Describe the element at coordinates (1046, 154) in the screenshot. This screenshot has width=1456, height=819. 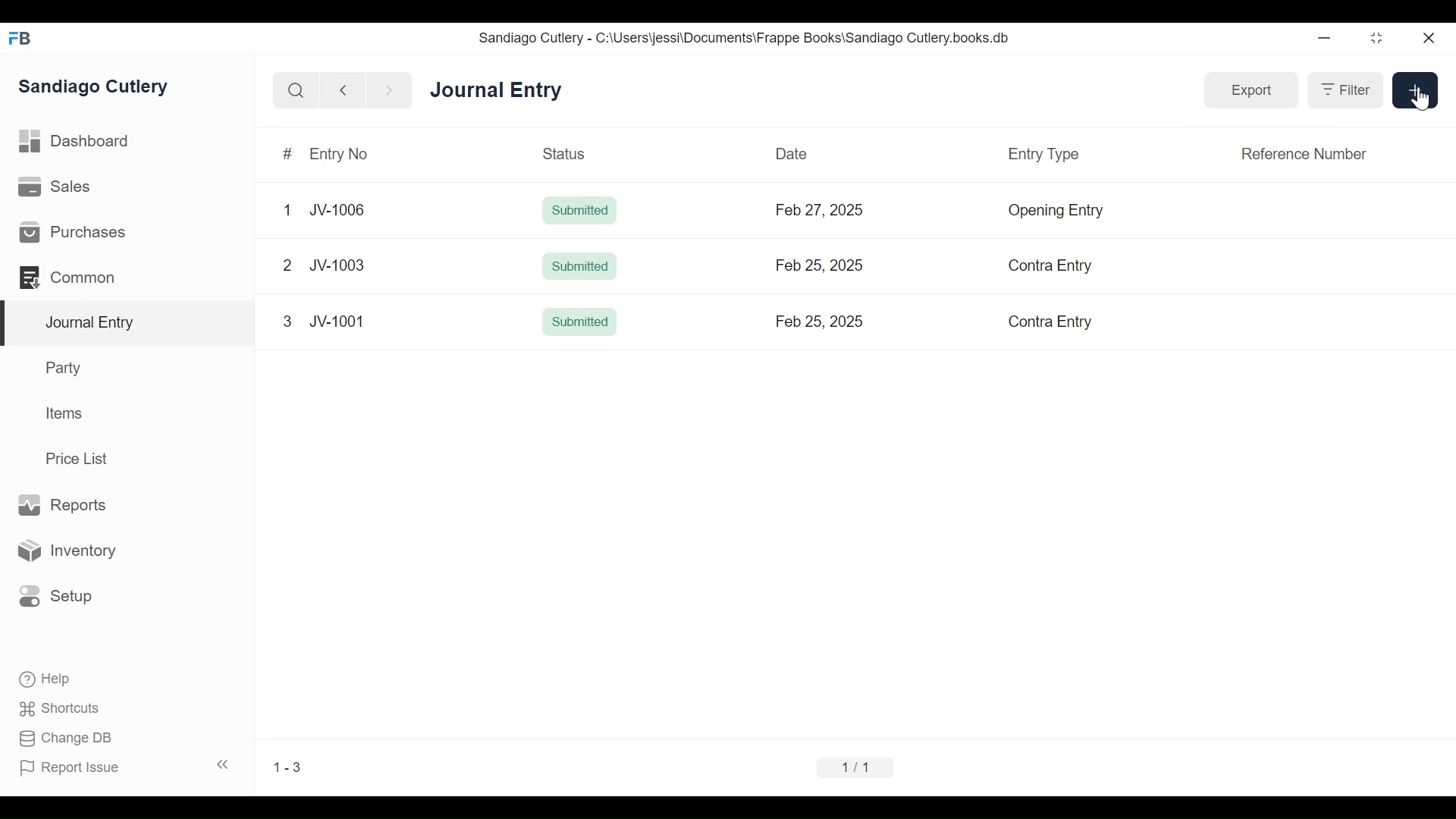
I see `Entry Type` at that location.